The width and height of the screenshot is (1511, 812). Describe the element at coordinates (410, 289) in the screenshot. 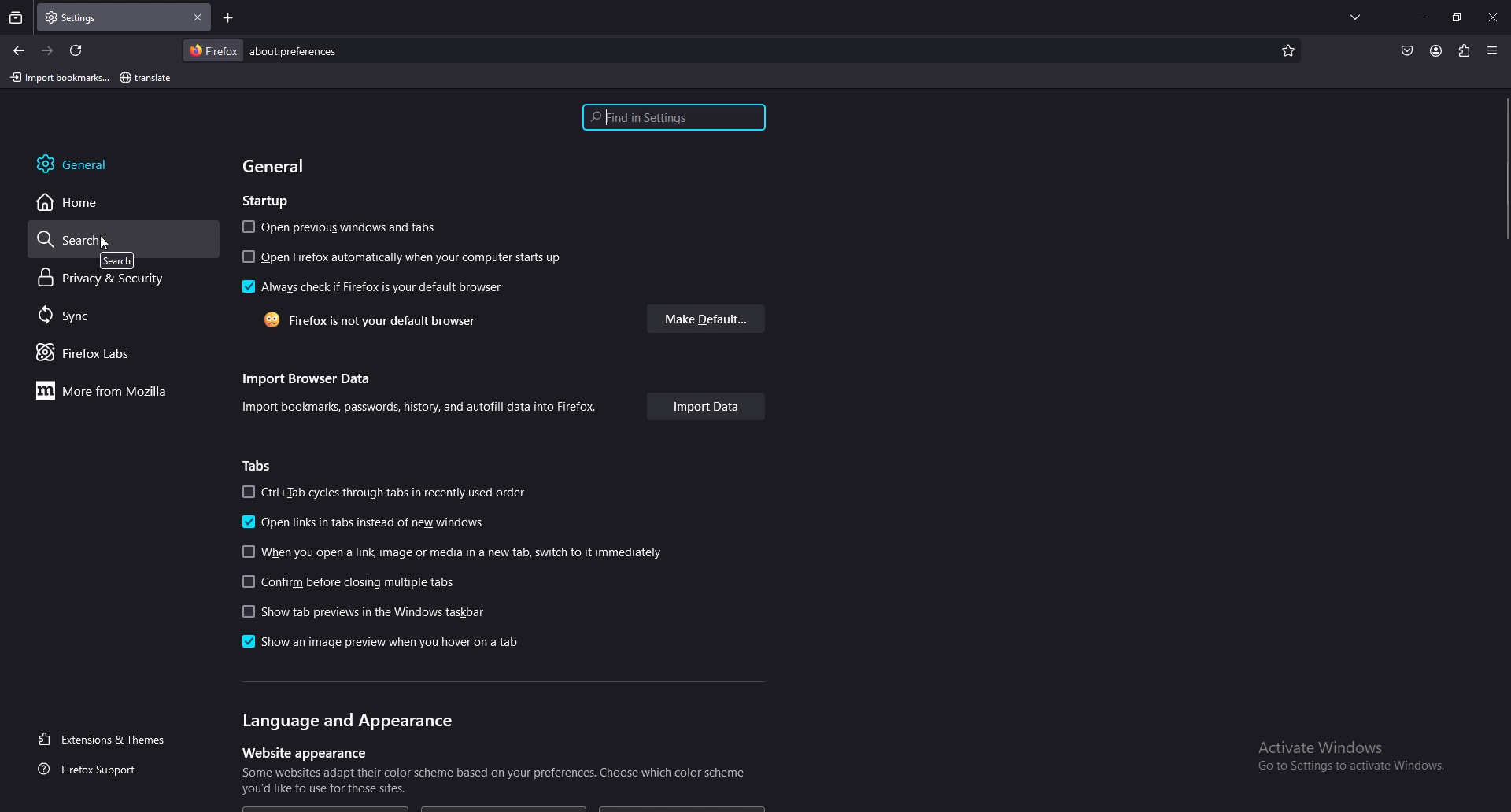

I see `always check if firefox default browser` at that location.